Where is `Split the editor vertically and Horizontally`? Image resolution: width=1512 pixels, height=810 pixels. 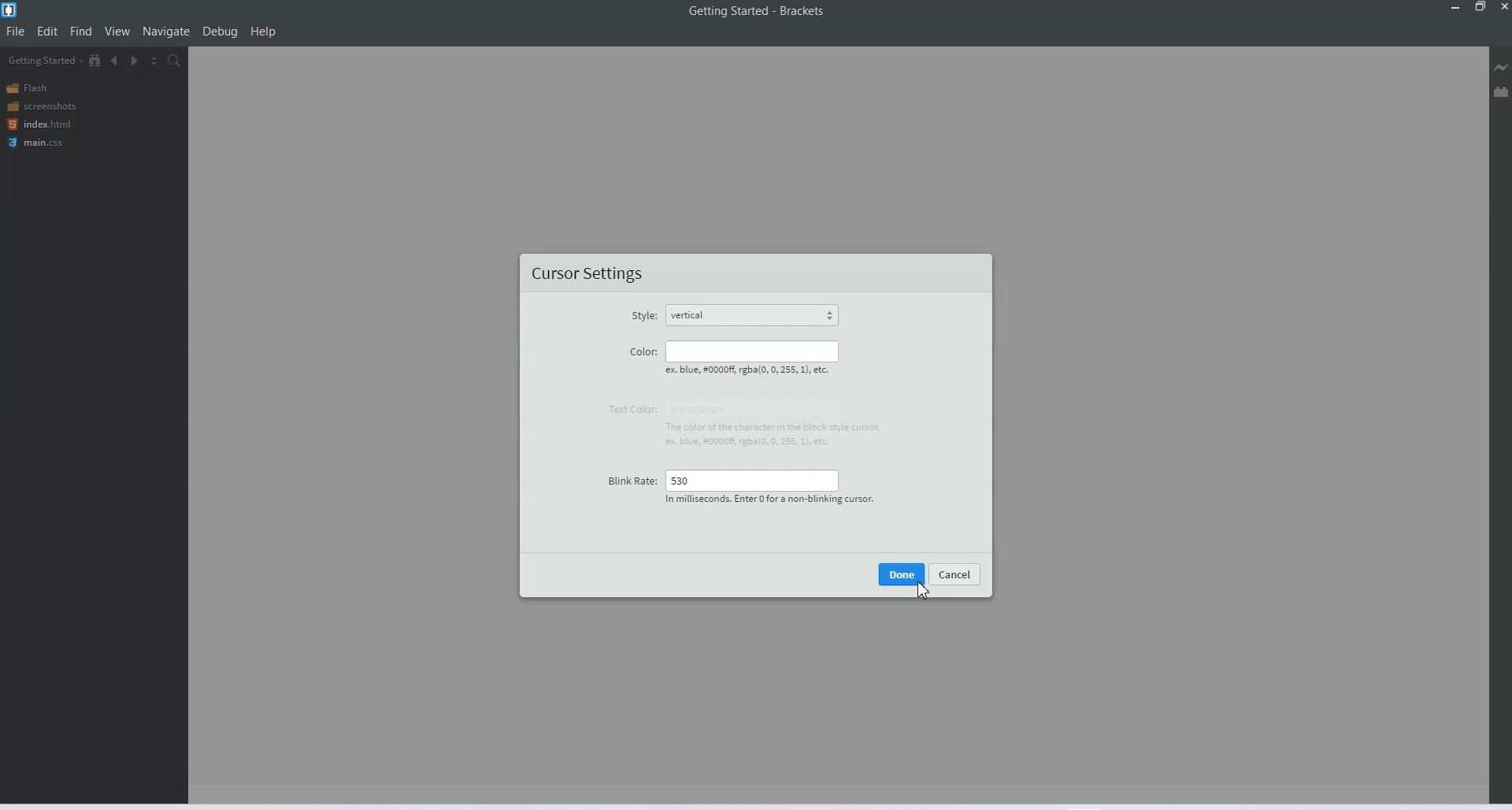
Split the editor vertically and Horizontally is located at coordinates (154, 62).